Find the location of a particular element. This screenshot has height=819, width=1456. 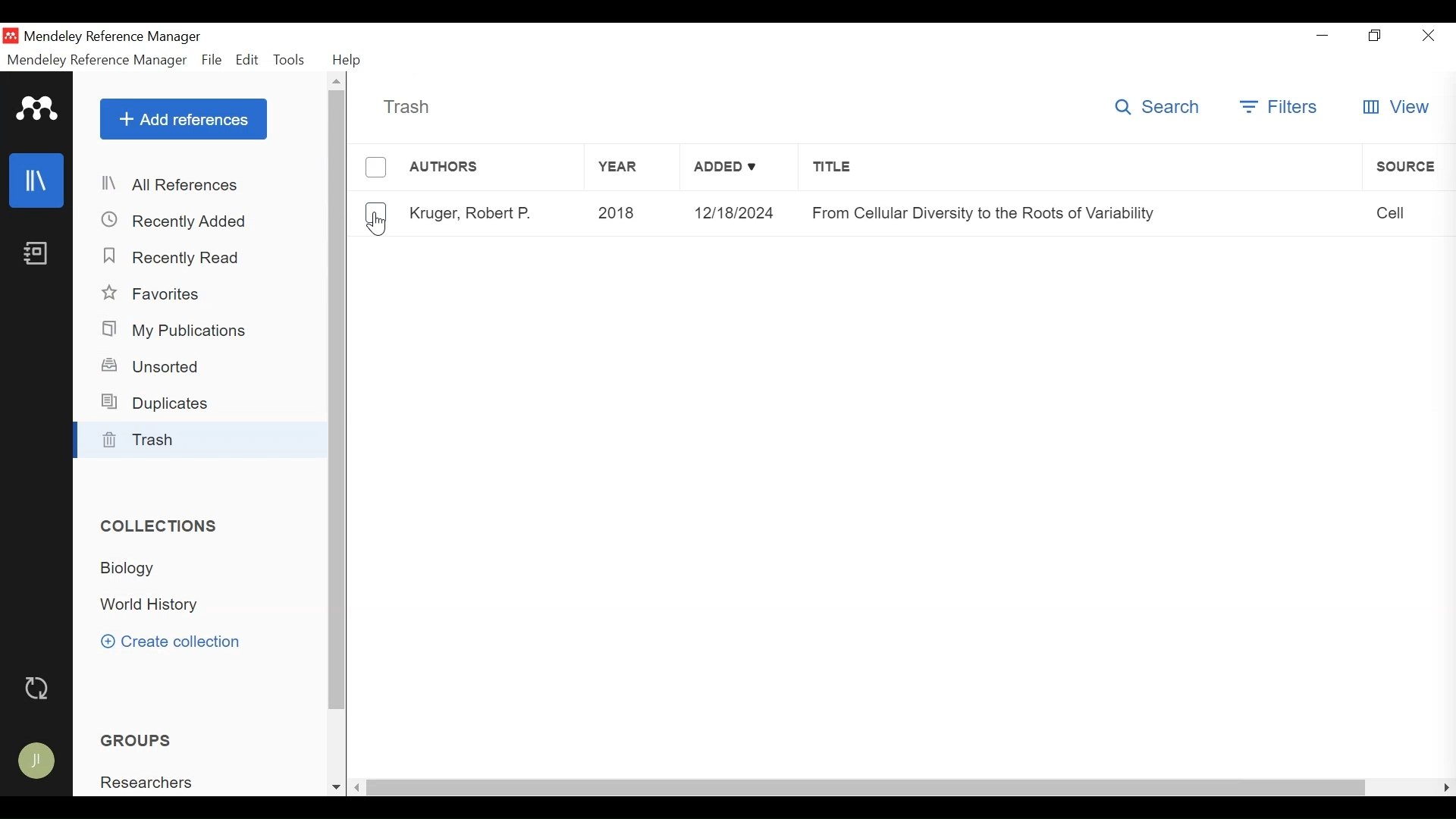

2018 is located at coordinates (630, 212).